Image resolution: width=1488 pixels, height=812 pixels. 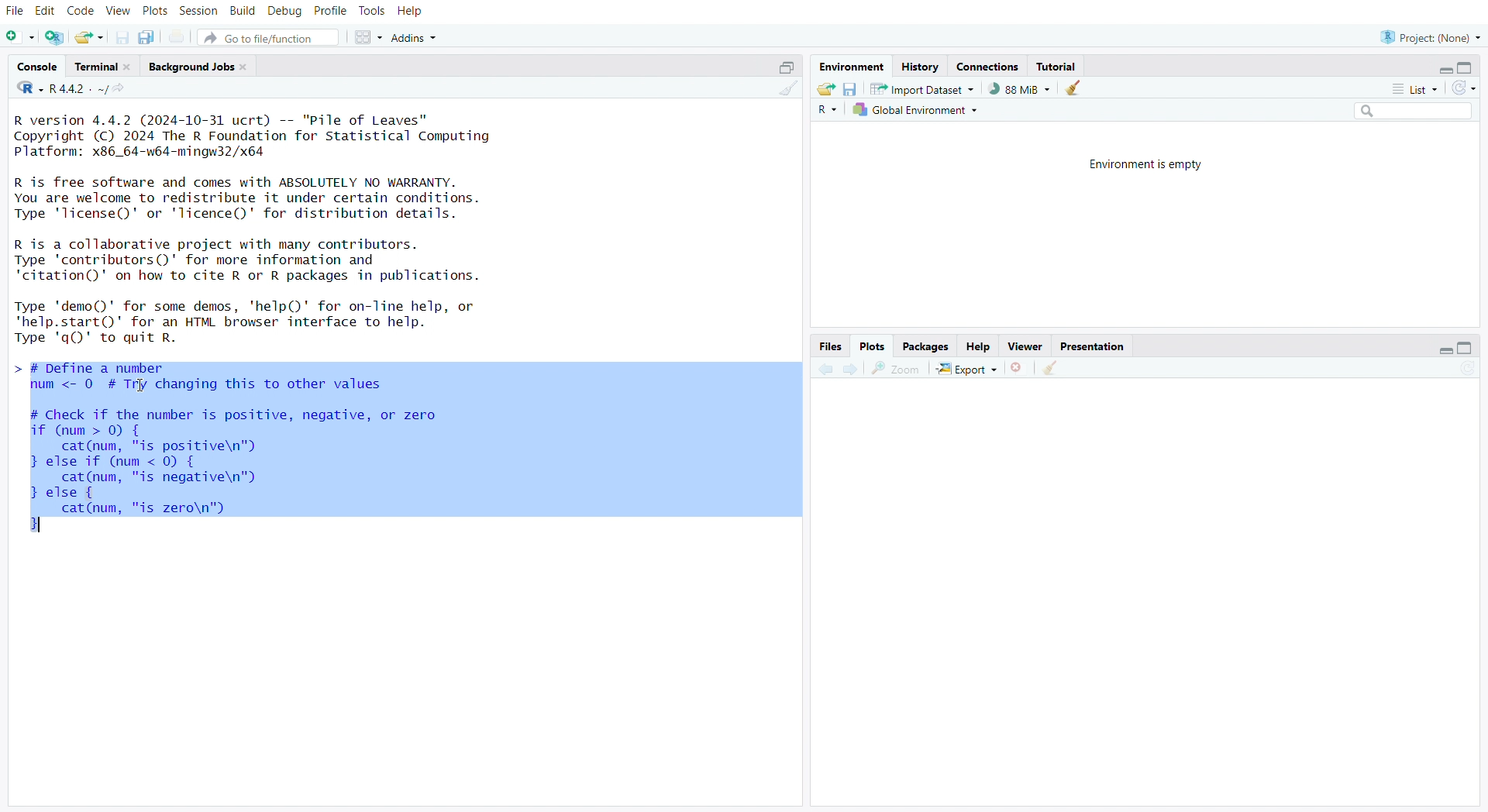 I want to click on tools, so click(x=373, y=11).